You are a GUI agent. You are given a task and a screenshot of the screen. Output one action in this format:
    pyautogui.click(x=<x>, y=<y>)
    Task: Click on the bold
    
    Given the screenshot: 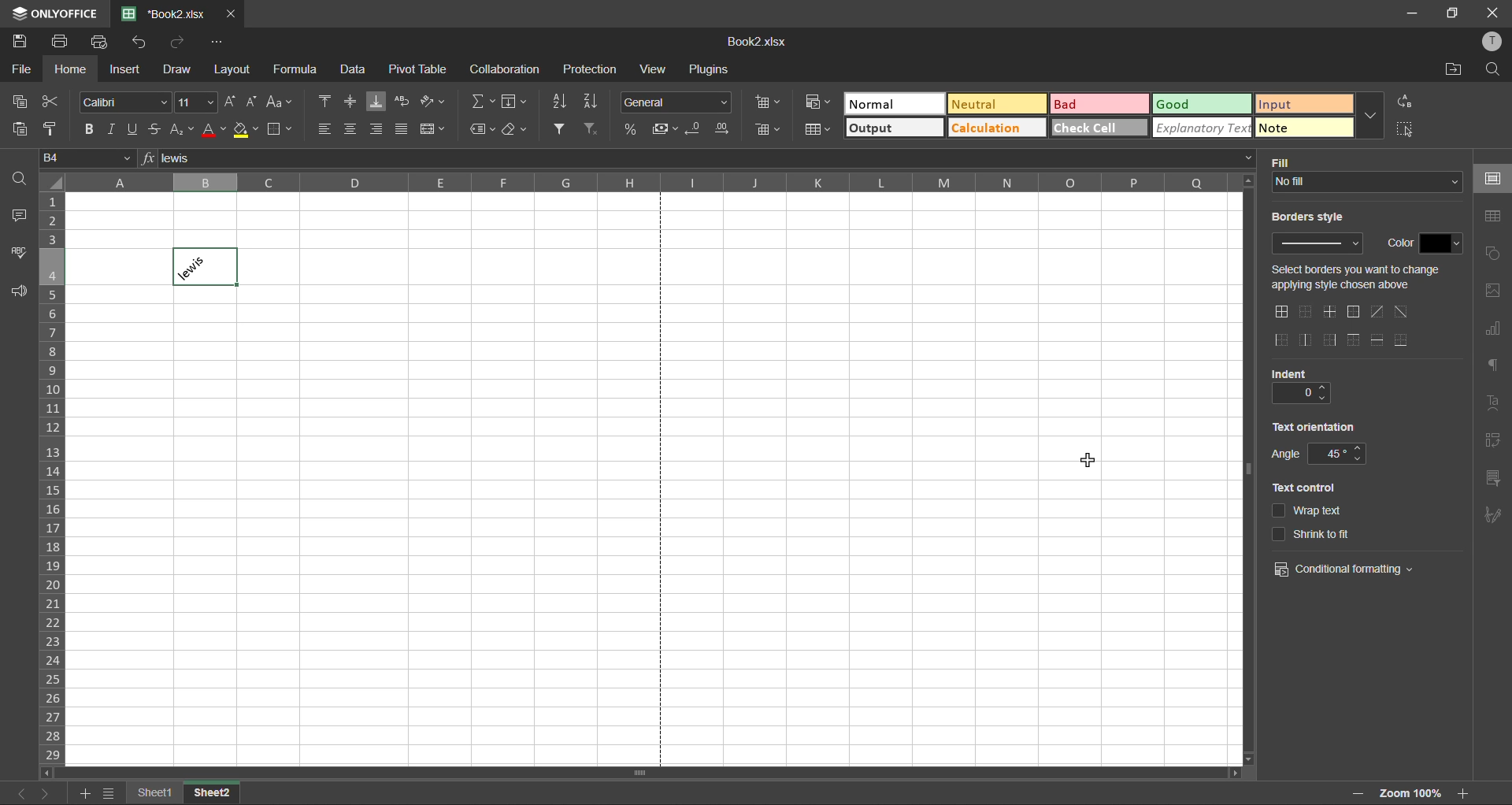 What is the action you would take?
    pyautogui.click(x=85, y=131)
    